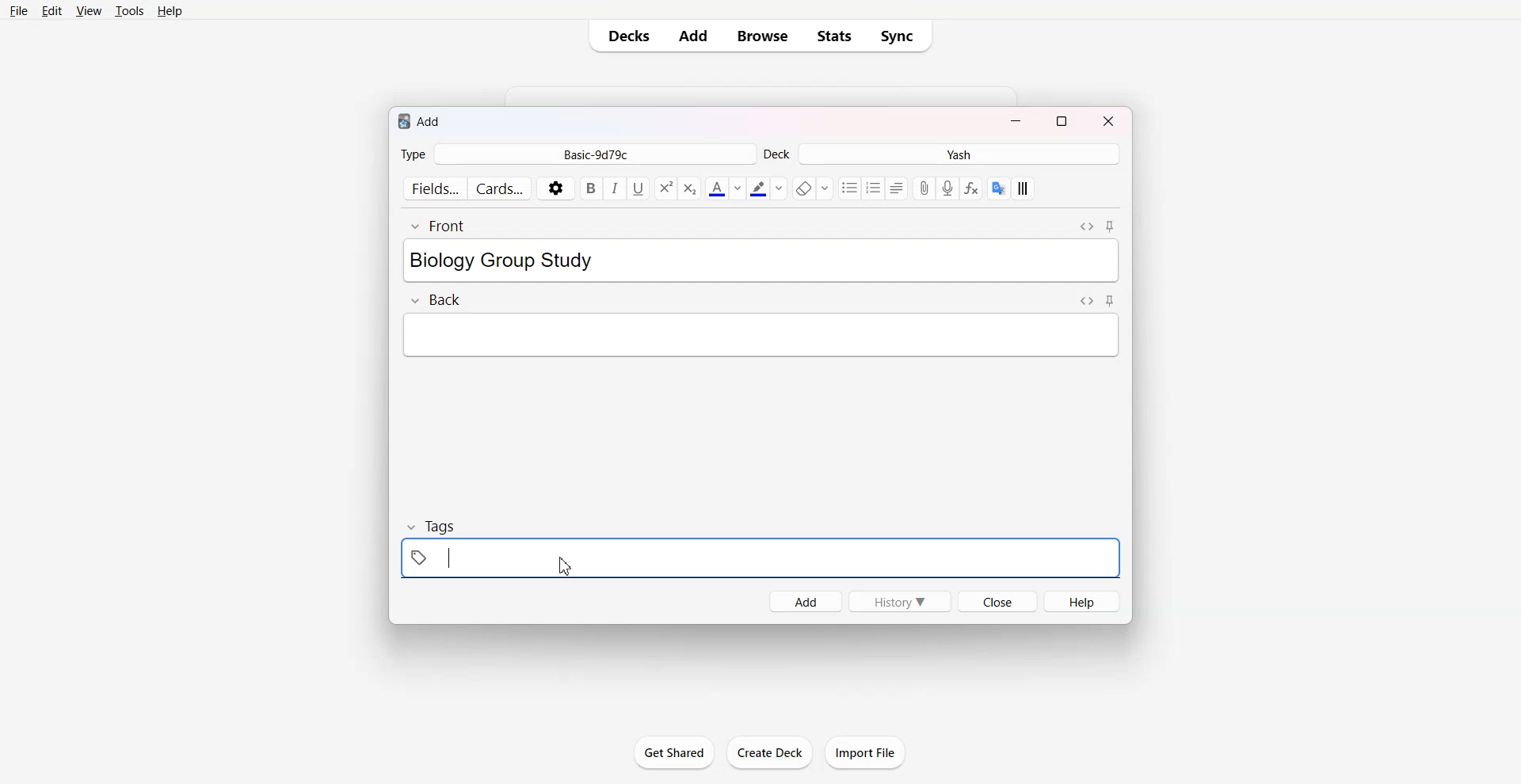 This screenshot has width=1521, height=784. What do you see at coordinates (437, 226) in the screenshot?
I see `Front` at bounding box center [437, 226].